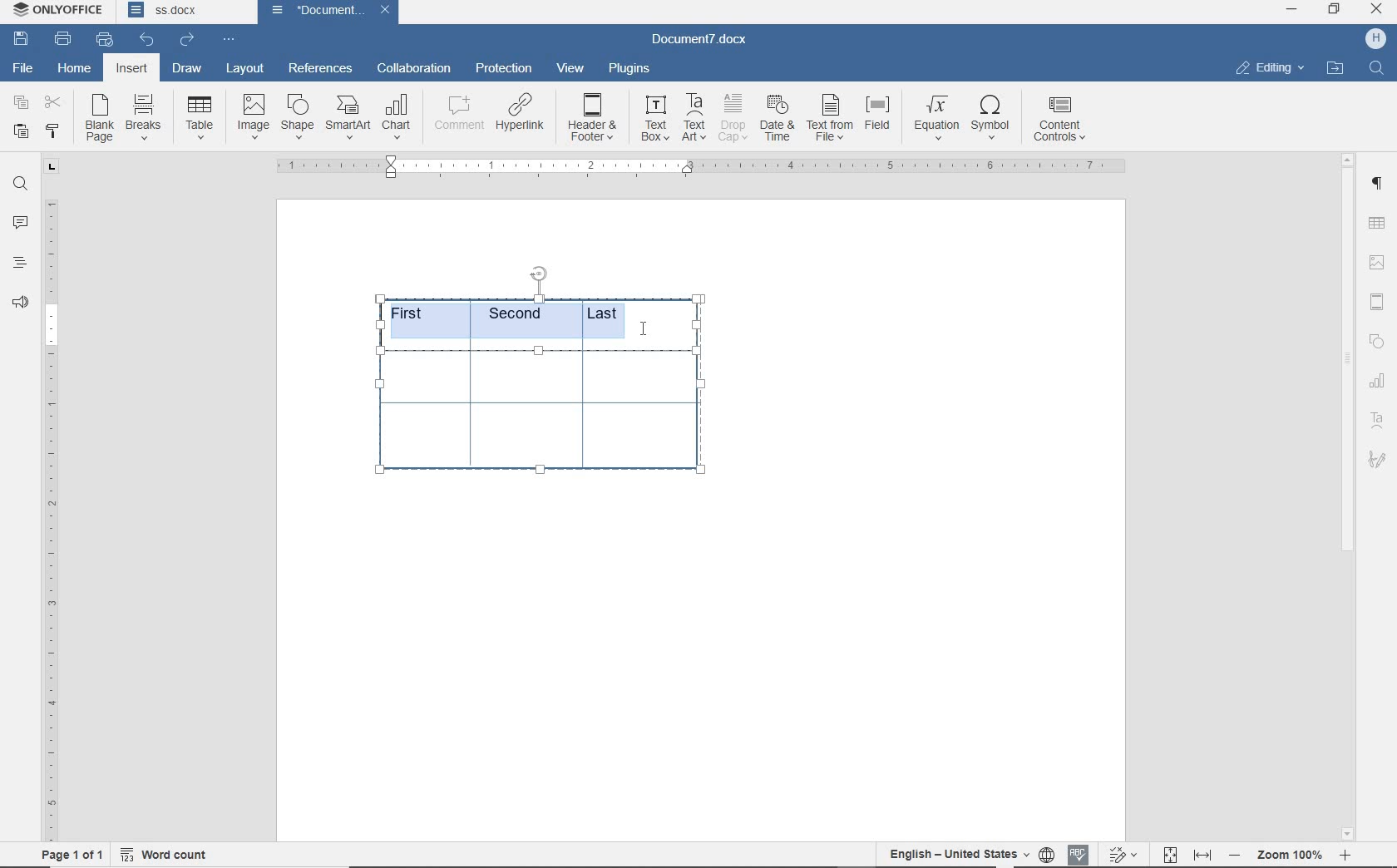  I want to click on Table, so click(201, 119).